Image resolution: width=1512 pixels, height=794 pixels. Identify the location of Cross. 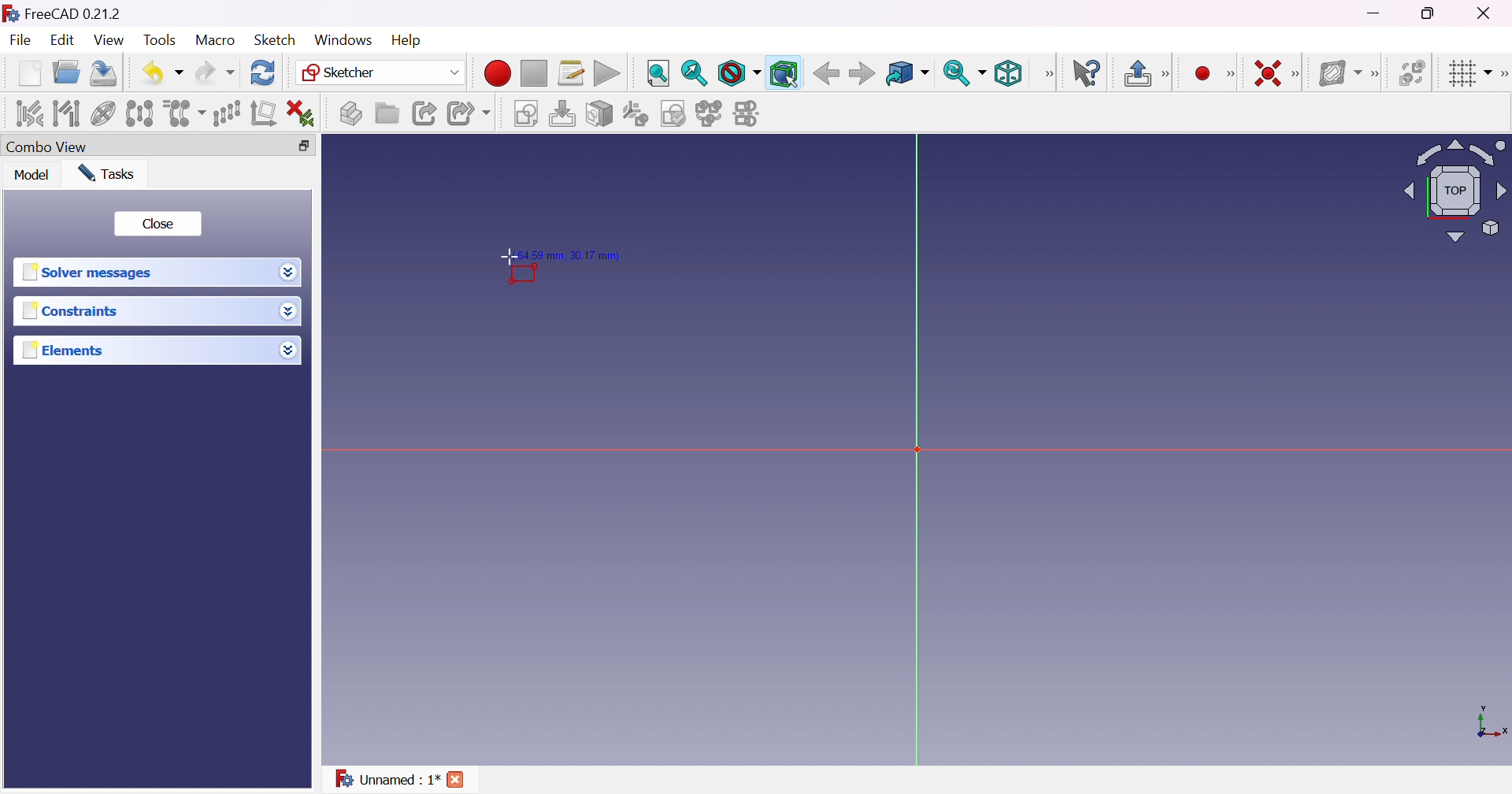
(454, 779).